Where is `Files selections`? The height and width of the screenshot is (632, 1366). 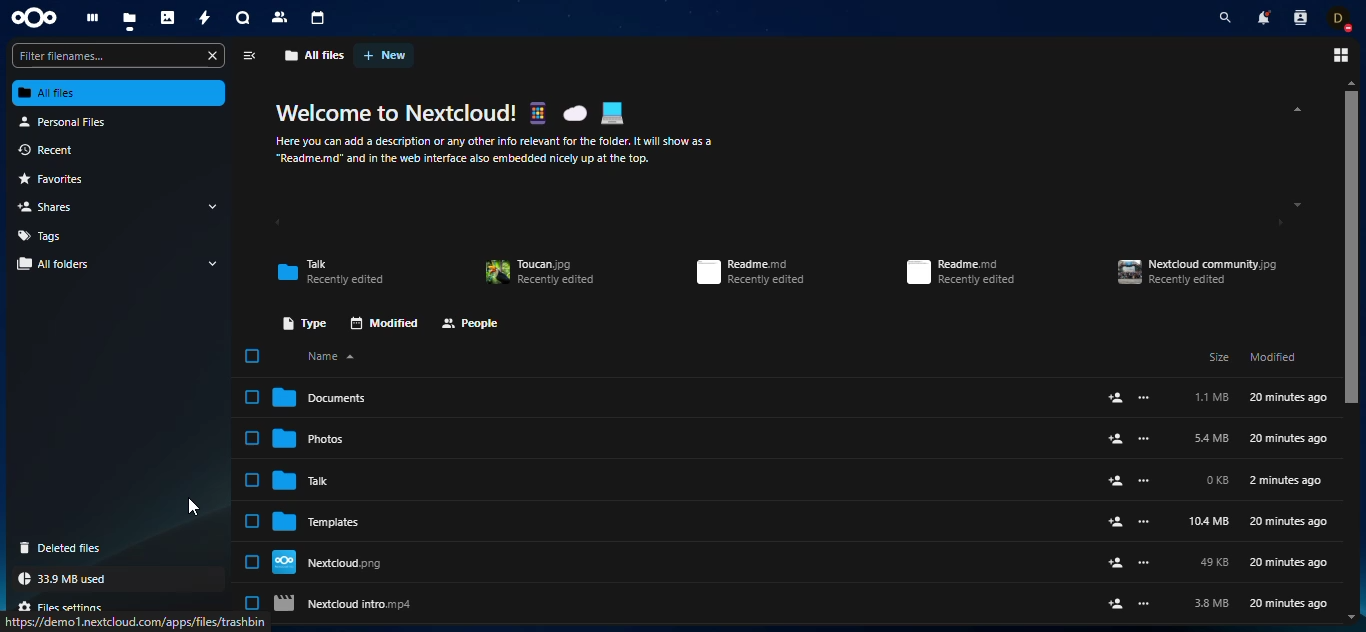
Files selections is located at coordinates (62, 603).